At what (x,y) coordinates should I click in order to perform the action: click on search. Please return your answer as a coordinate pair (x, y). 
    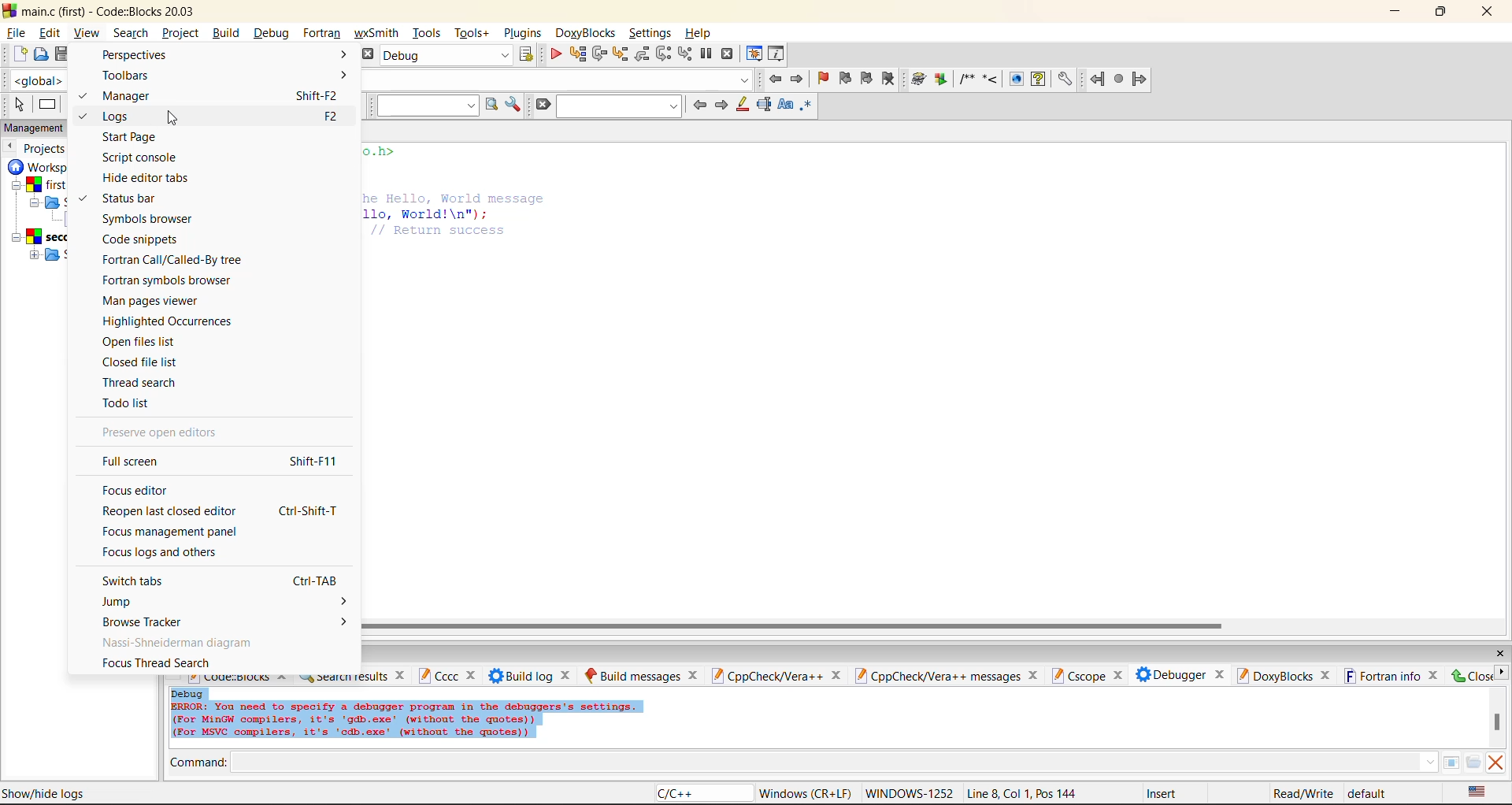
    Looking at the image, I should click on (131, 33).